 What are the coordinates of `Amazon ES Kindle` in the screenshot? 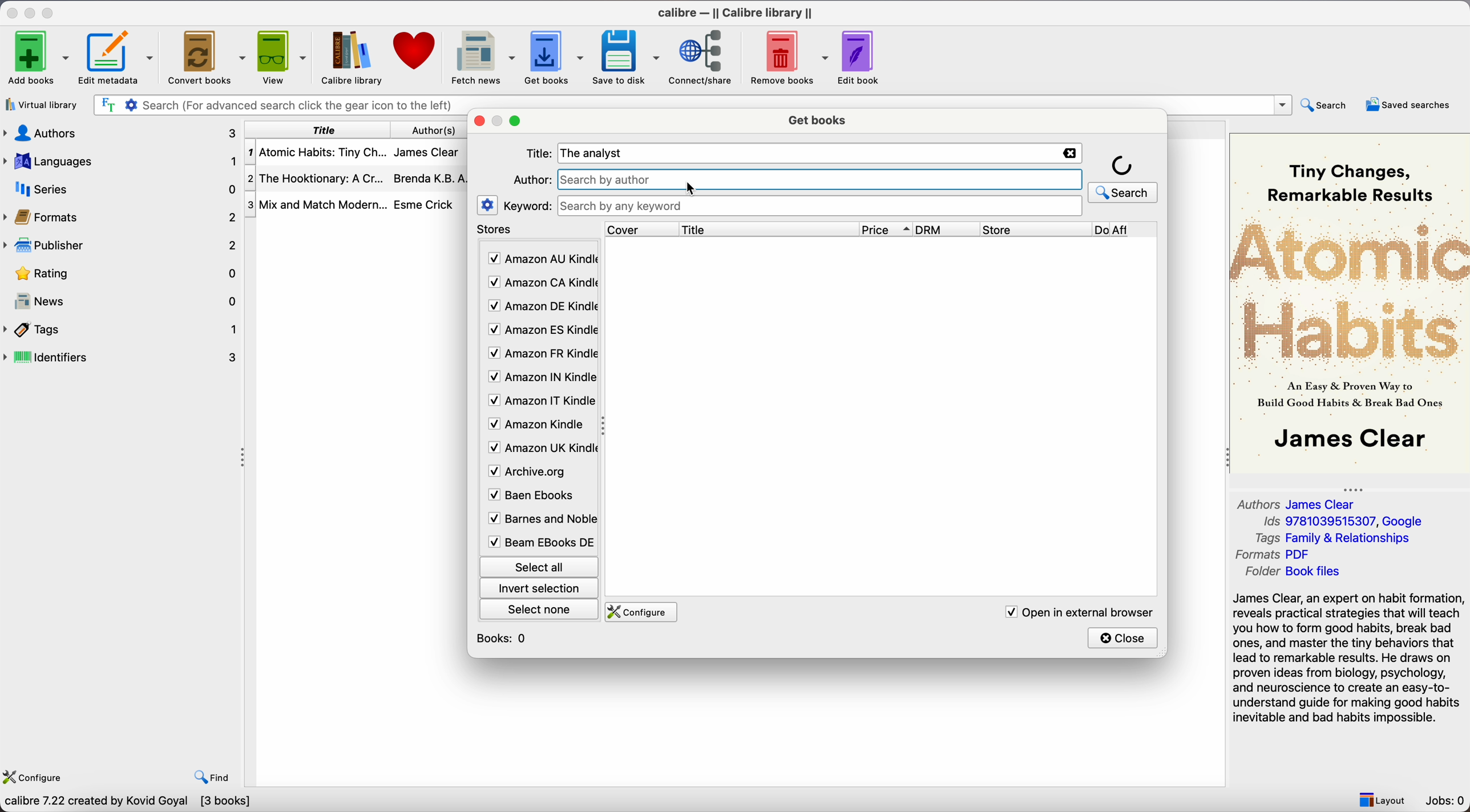 It's located at (541, 332).